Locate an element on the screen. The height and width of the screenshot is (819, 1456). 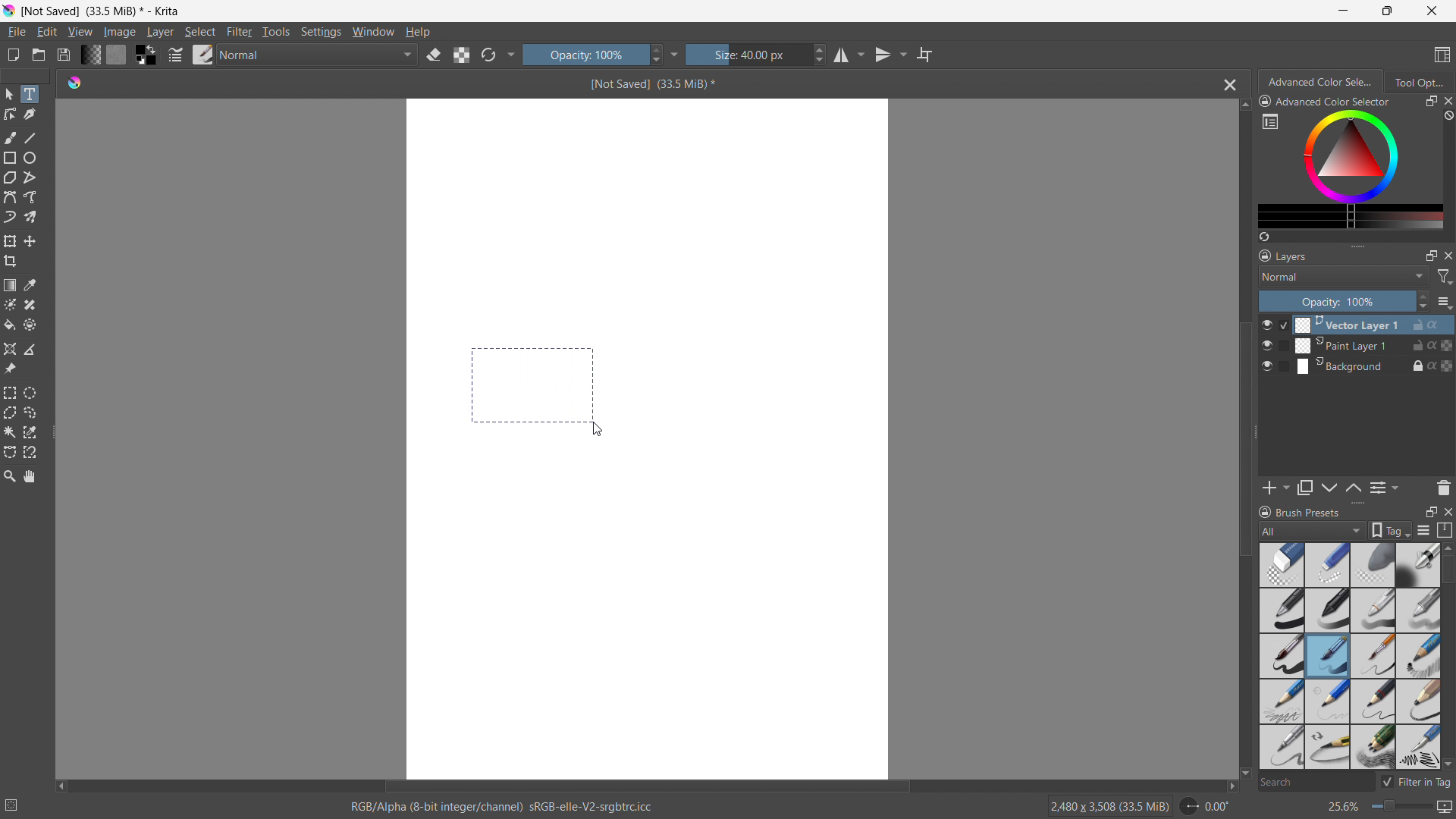
ellipse tool is located at coordinates (30, 158).